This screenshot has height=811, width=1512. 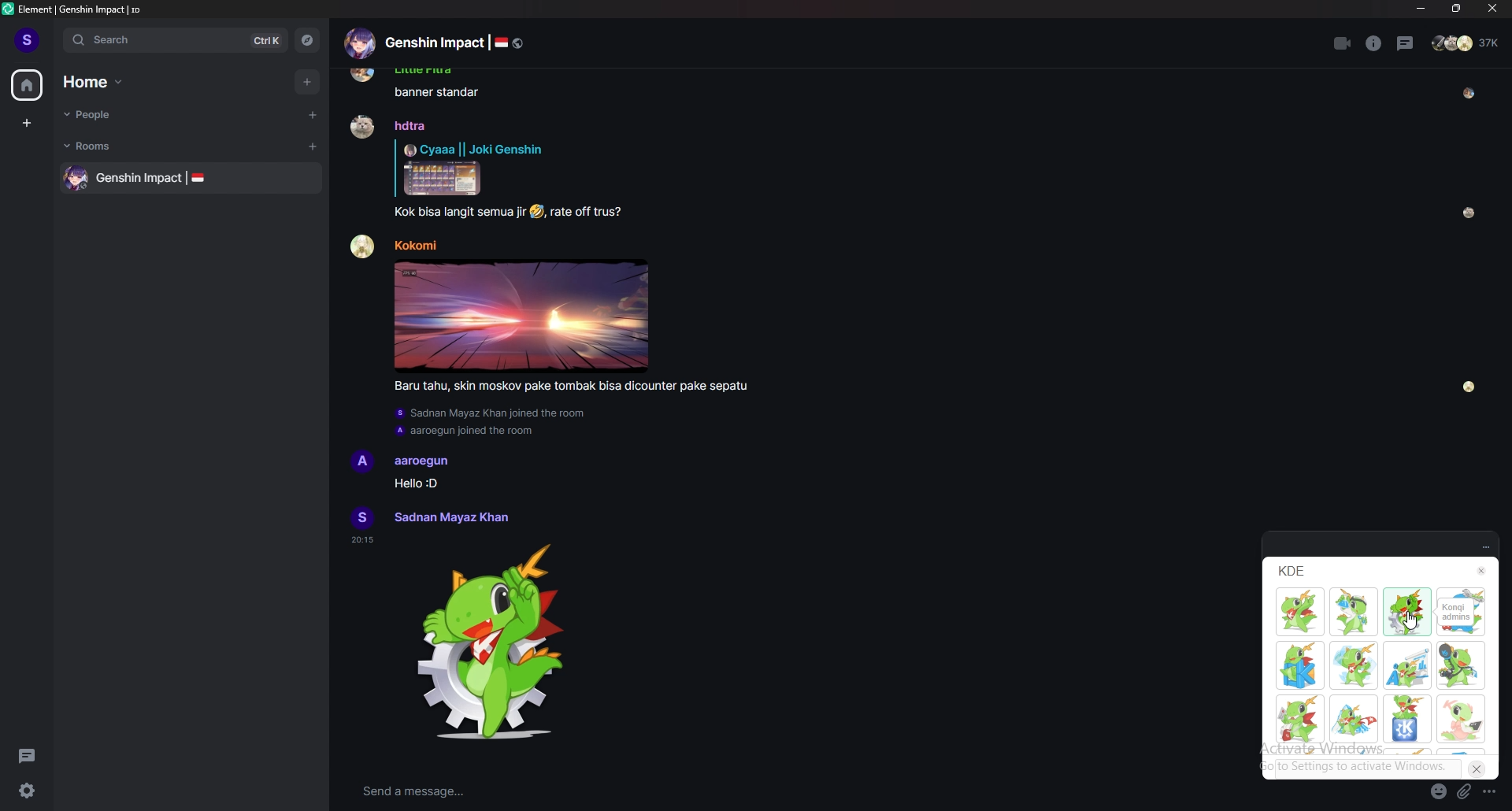 What do you see at coordinates (359, 43) in the screenshot?
I see `Profile picture of group` at bounding box center [359, 43].